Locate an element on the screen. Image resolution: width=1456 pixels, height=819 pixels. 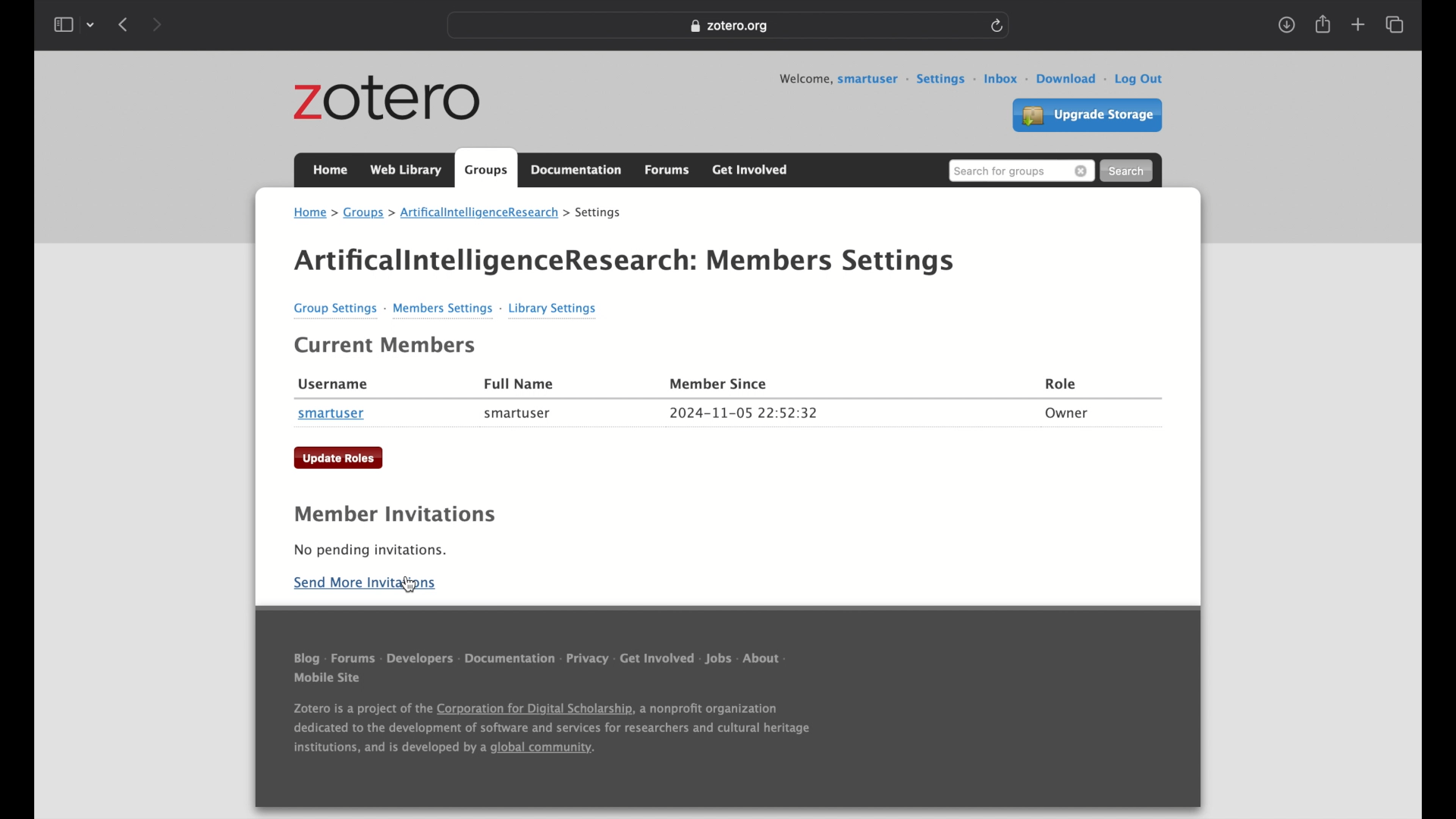
smartuser is located at coordinates (331, 414).